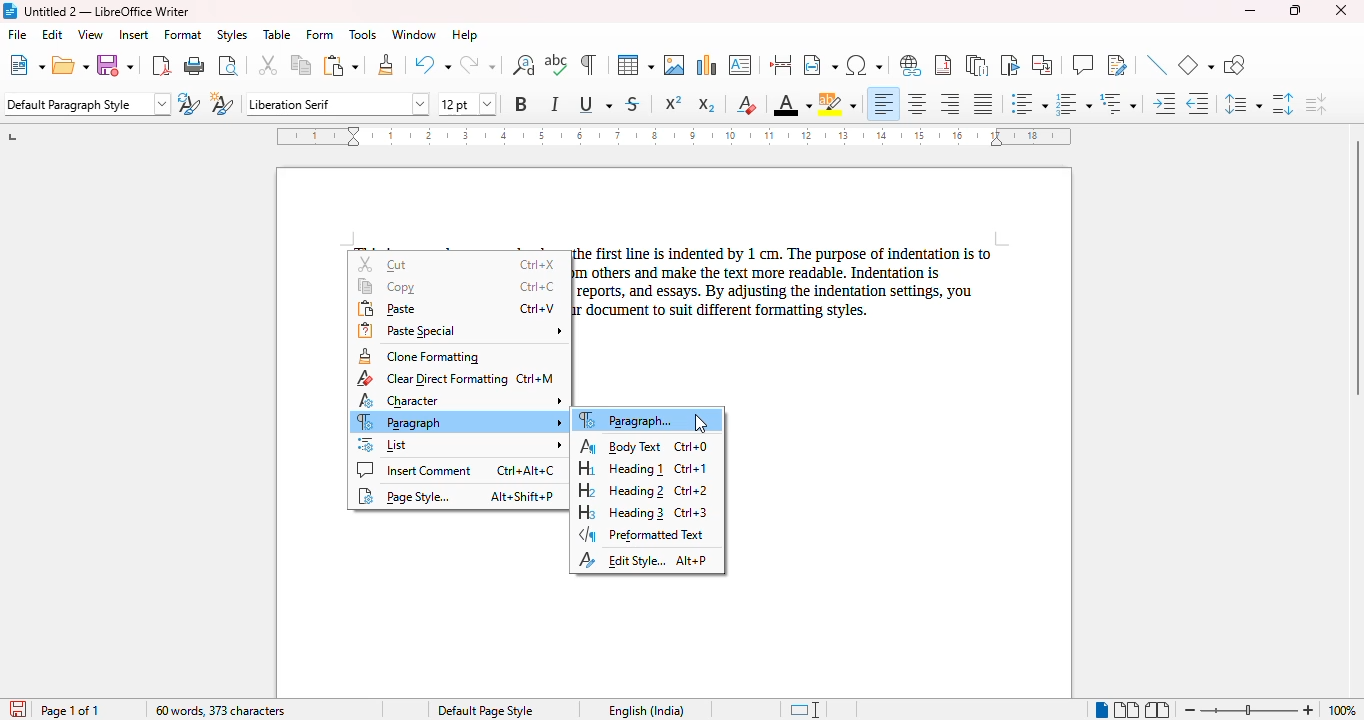  I want to click on decrease indent, so click(1199, 103).